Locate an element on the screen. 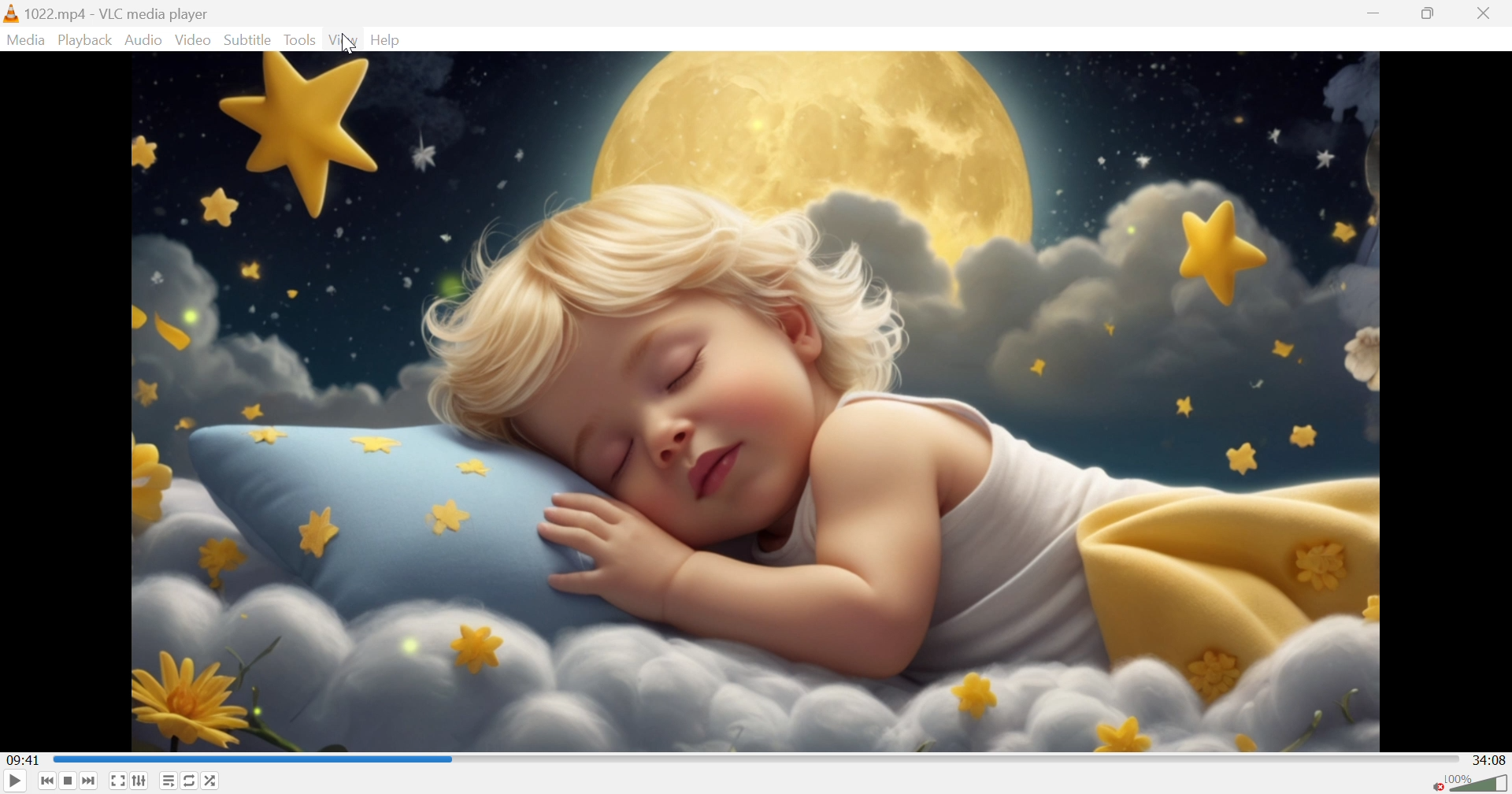 This screenshot has height=794, width=1512. Video is located at coordinates (193, 42).